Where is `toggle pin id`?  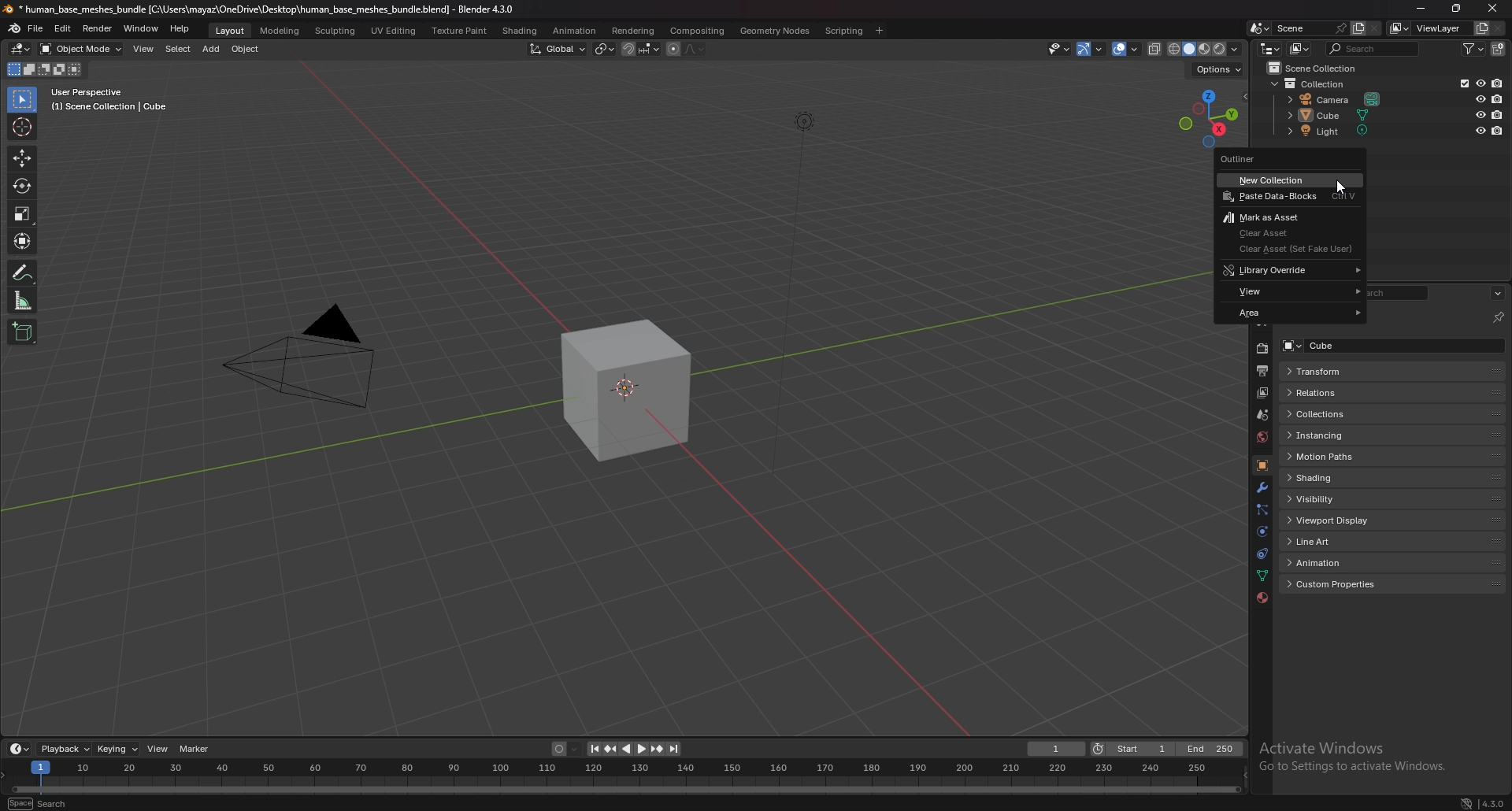 toggle pin id is located at coordinates (1499, 317).